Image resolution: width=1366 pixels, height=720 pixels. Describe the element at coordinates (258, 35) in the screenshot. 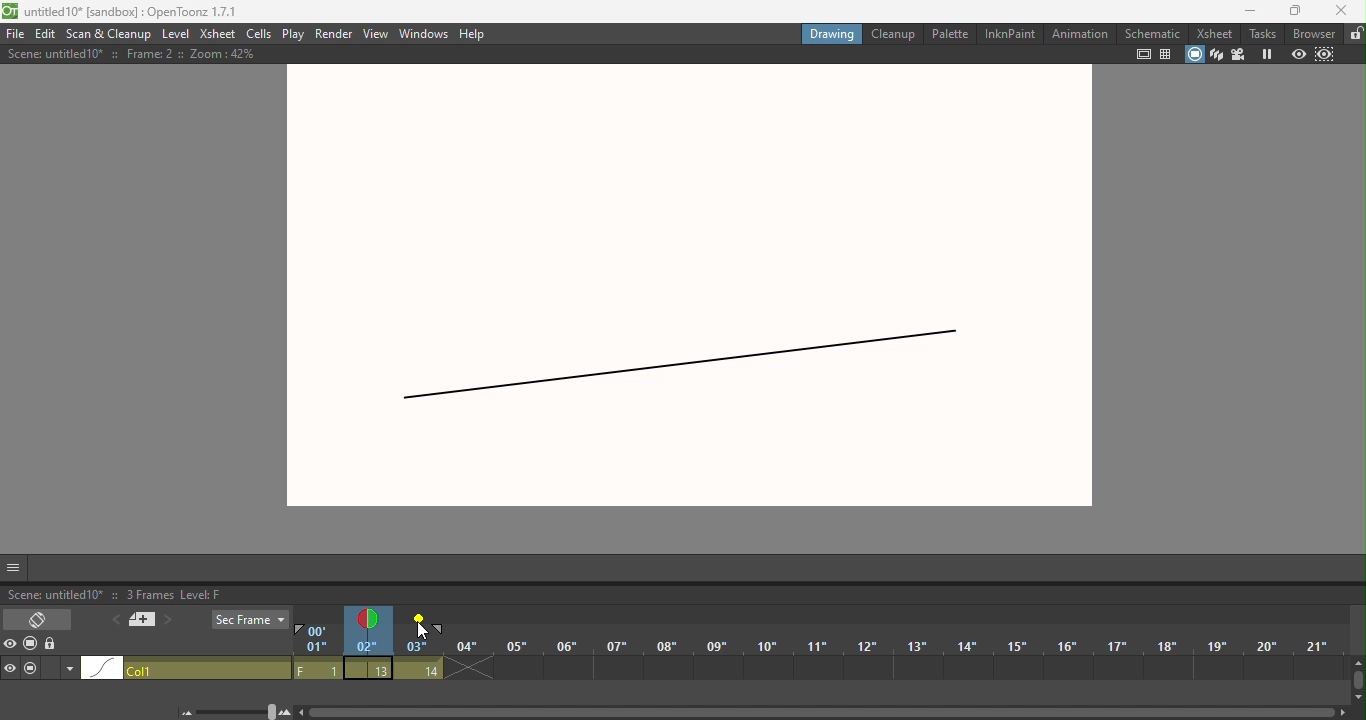

I see `Cells` at that location.